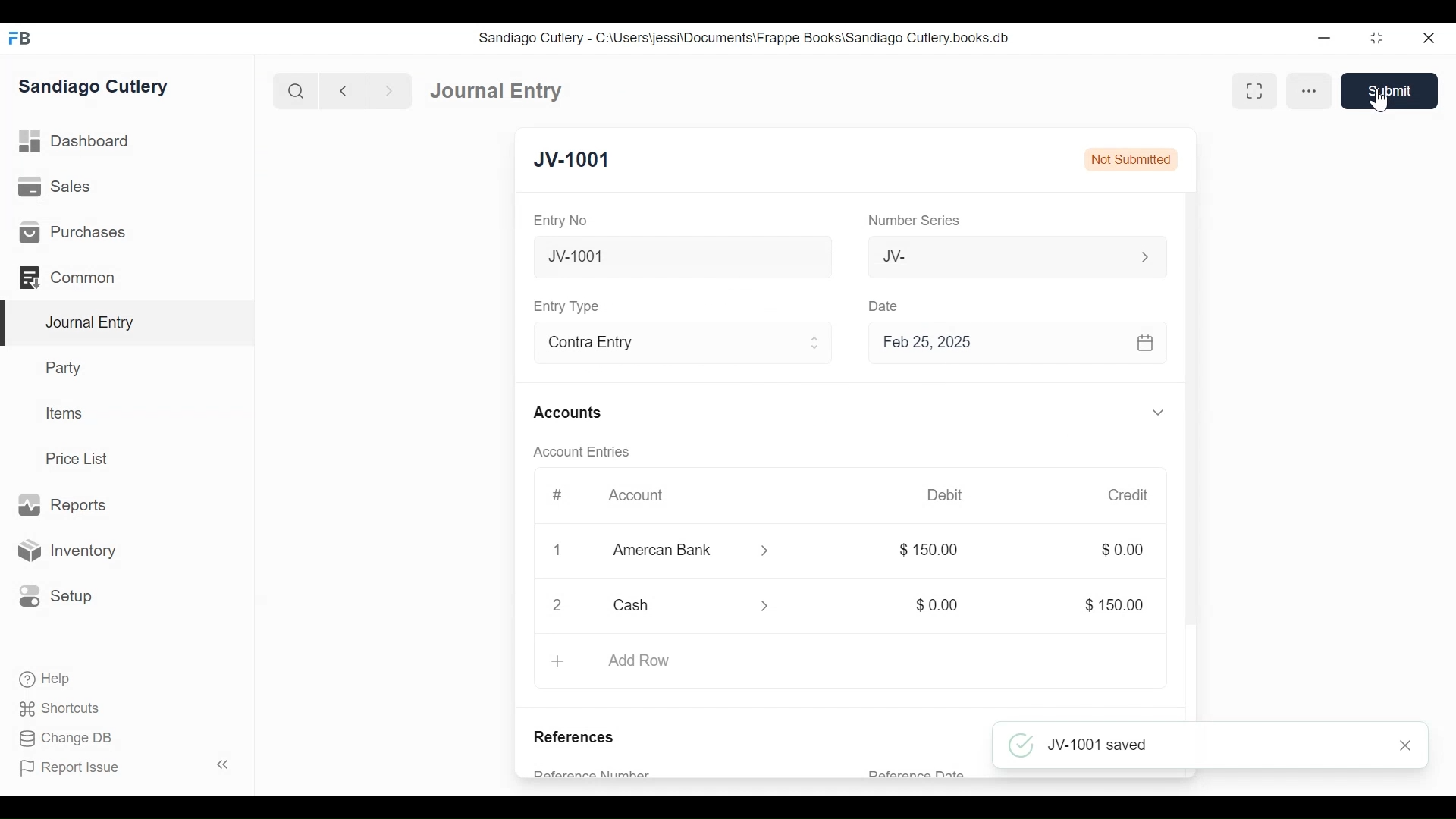 The image size is (1456, 819). What do you see at coordinates (21, 39) in the screenshot?
I see `Frappe Books Desktop icon` at bounding box center [21, 39].